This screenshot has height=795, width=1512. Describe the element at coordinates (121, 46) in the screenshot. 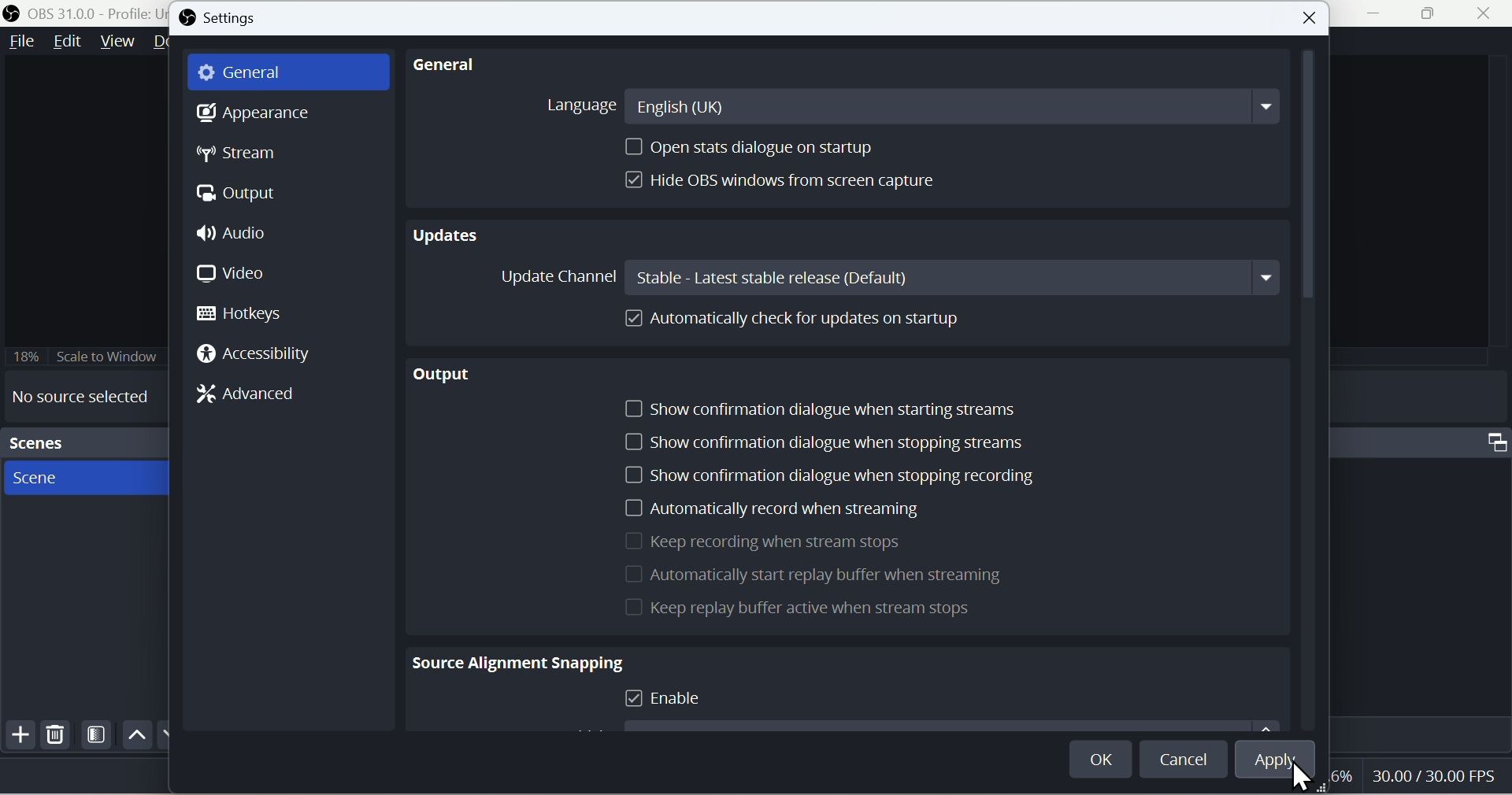

I see `View` at that location.